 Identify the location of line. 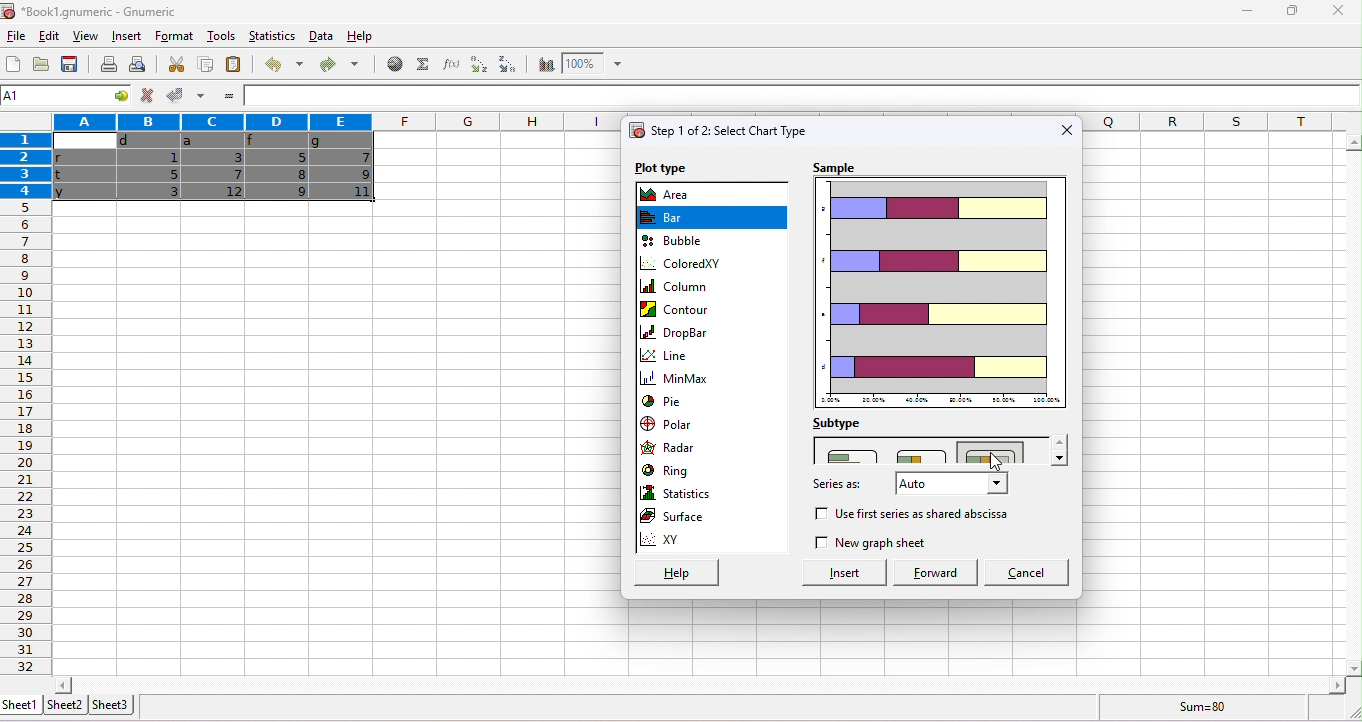
(677, 358).